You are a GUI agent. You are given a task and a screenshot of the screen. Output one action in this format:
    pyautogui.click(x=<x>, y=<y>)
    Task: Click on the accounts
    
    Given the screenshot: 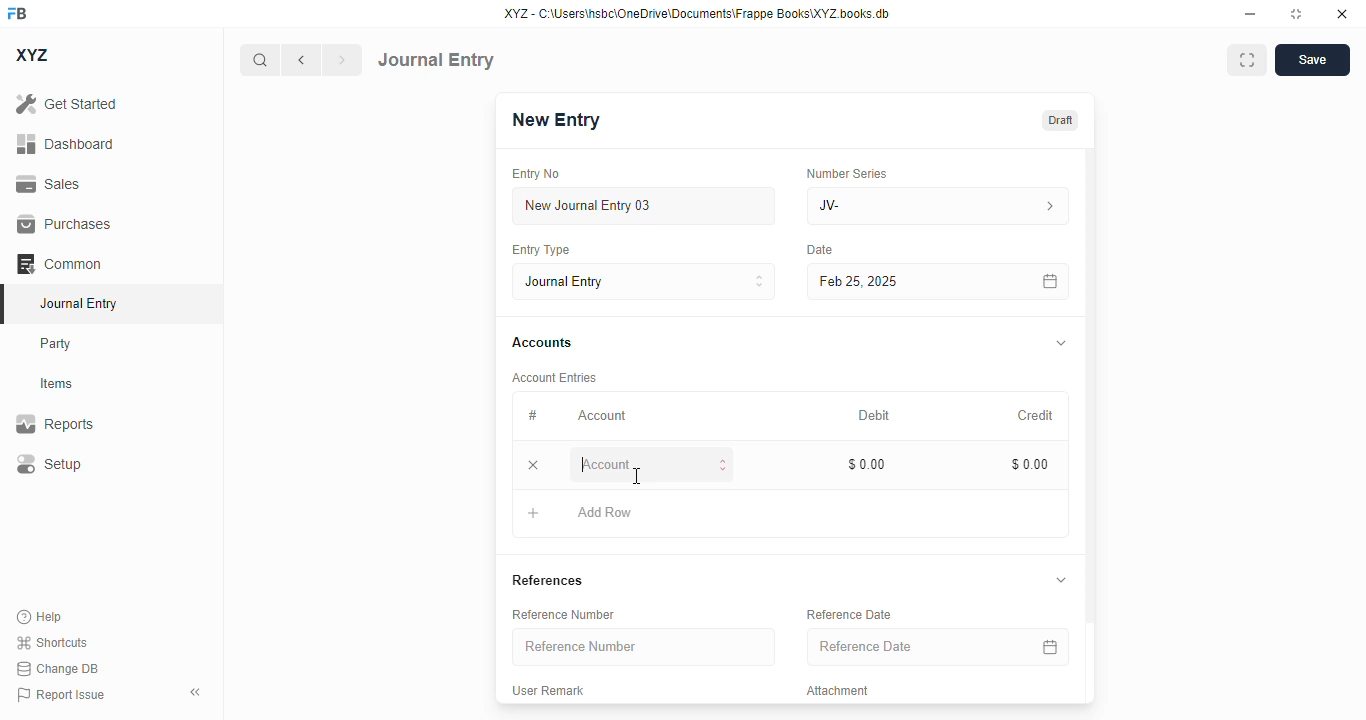 What is the action you would take?
    pyautogui.click(x=542, y=343)
    